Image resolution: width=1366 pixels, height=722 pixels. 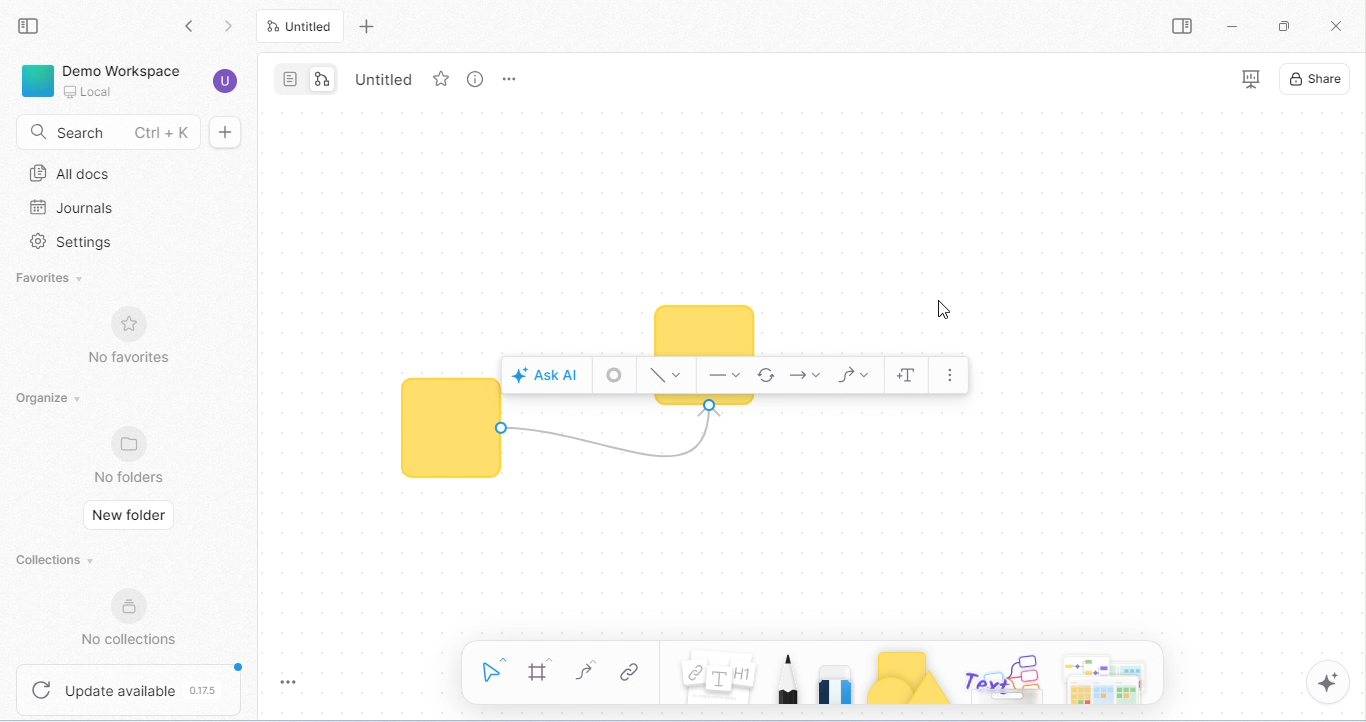 What do you see at coordinates (908, 374) in the screenshot?
I see `add text` at bounding box center [908, 374].